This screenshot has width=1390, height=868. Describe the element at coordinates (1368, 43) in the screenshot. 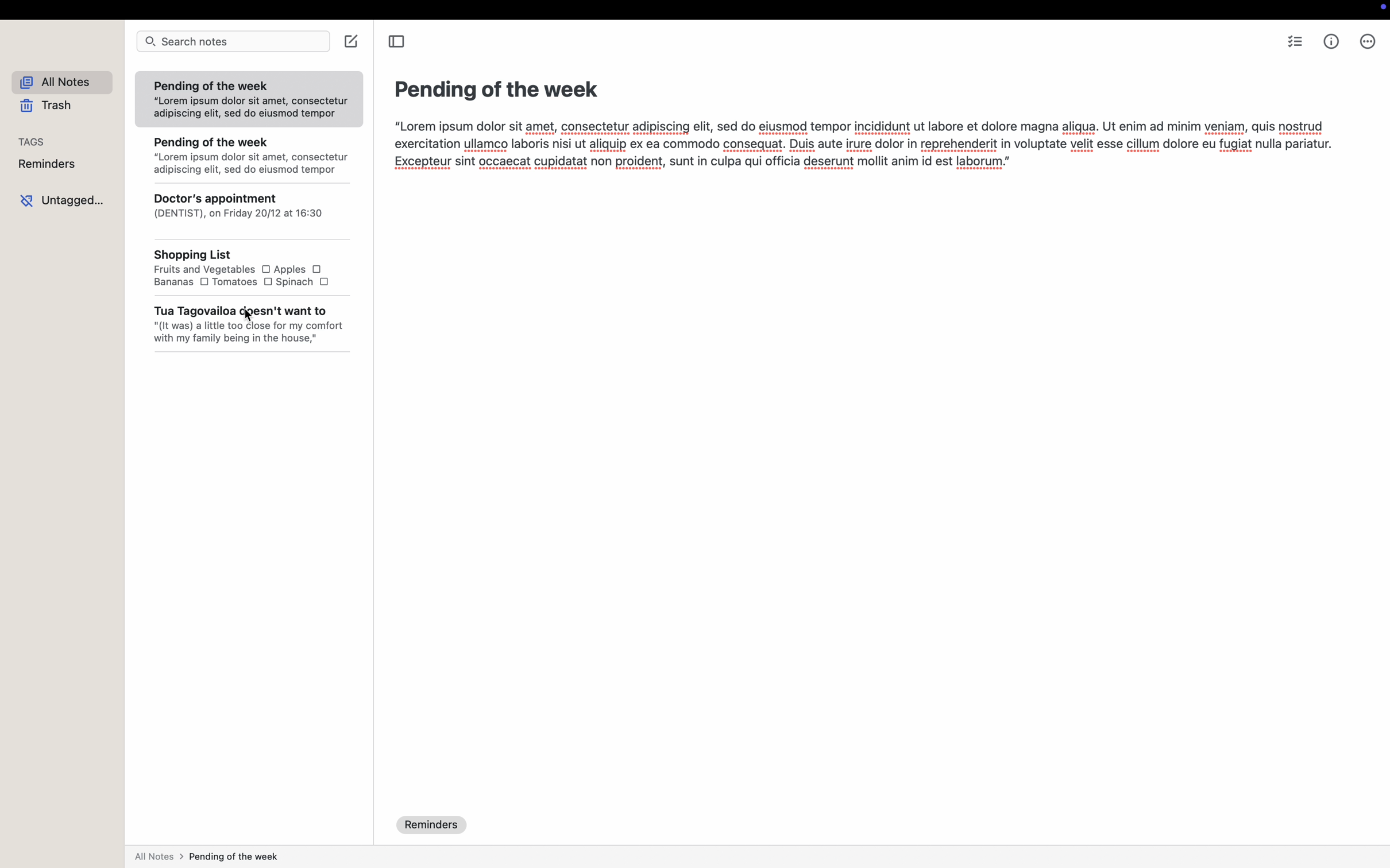

I see `more options` at that location.